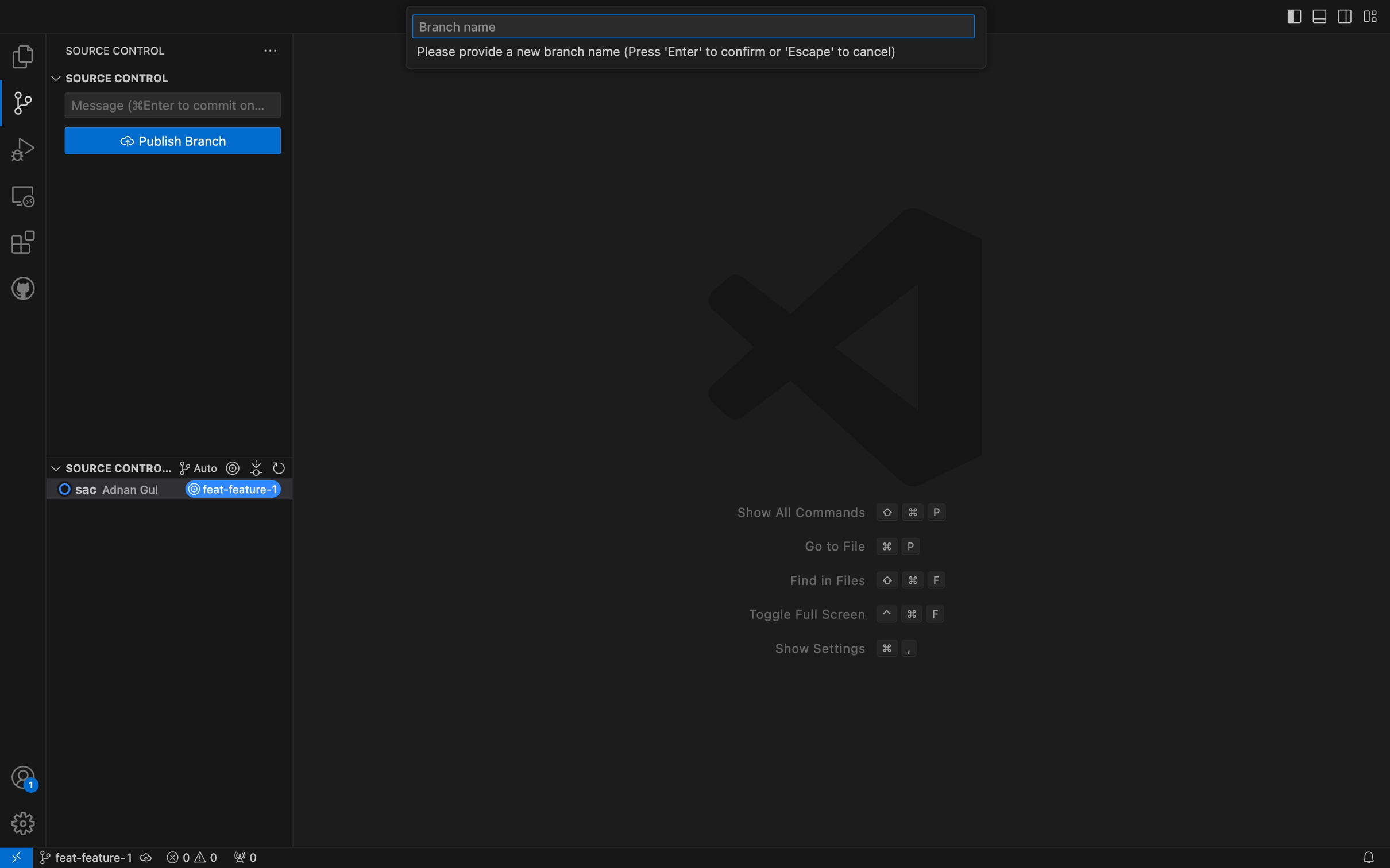 This screenshot has height=868, width=1390. Describe the element at coordinates (24, 195) in the screenshot. I see `remote` at that location.